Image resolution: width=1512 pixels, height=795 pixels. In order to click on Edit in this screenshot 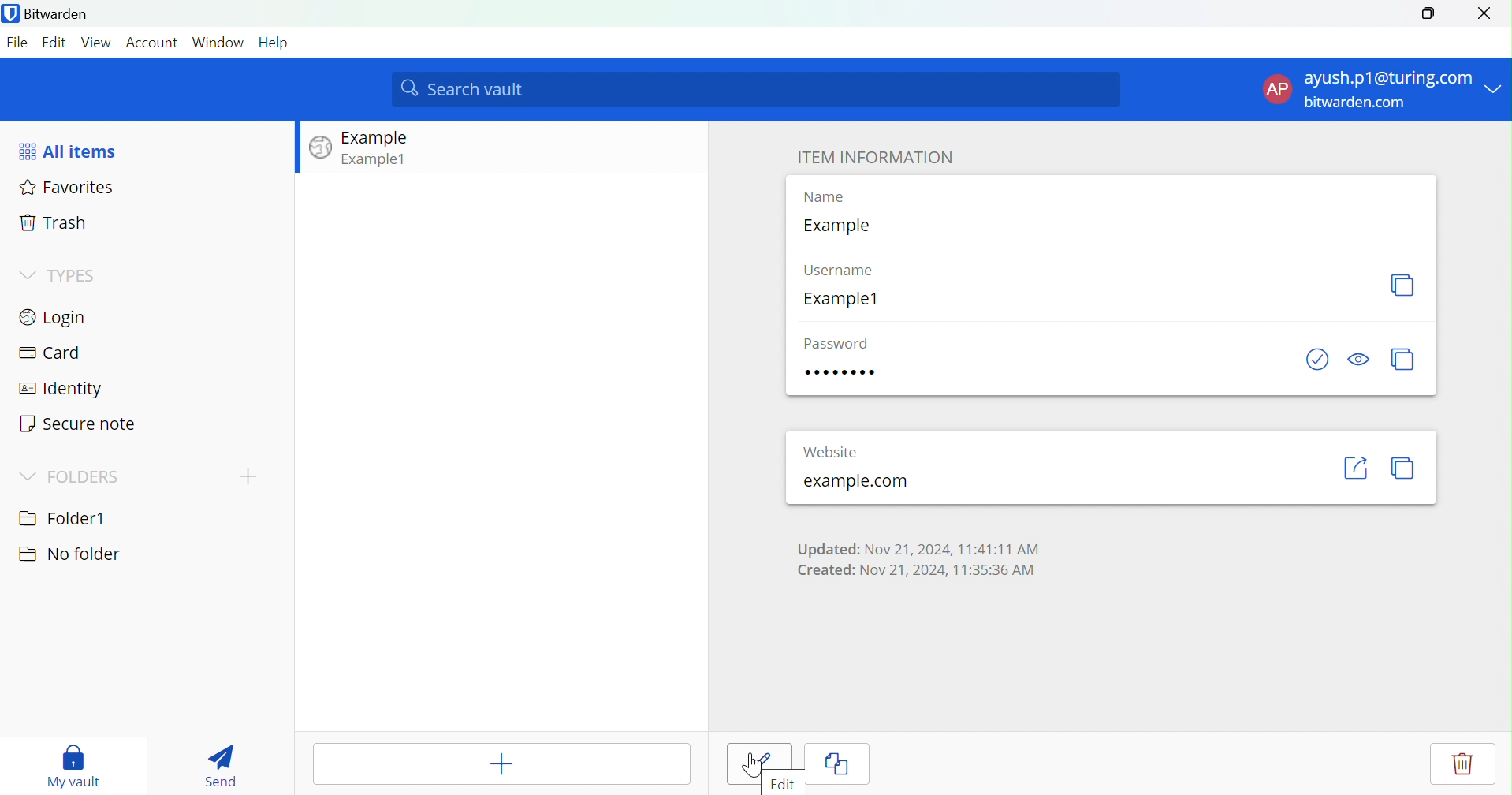, I will do `click(787, 786)`.